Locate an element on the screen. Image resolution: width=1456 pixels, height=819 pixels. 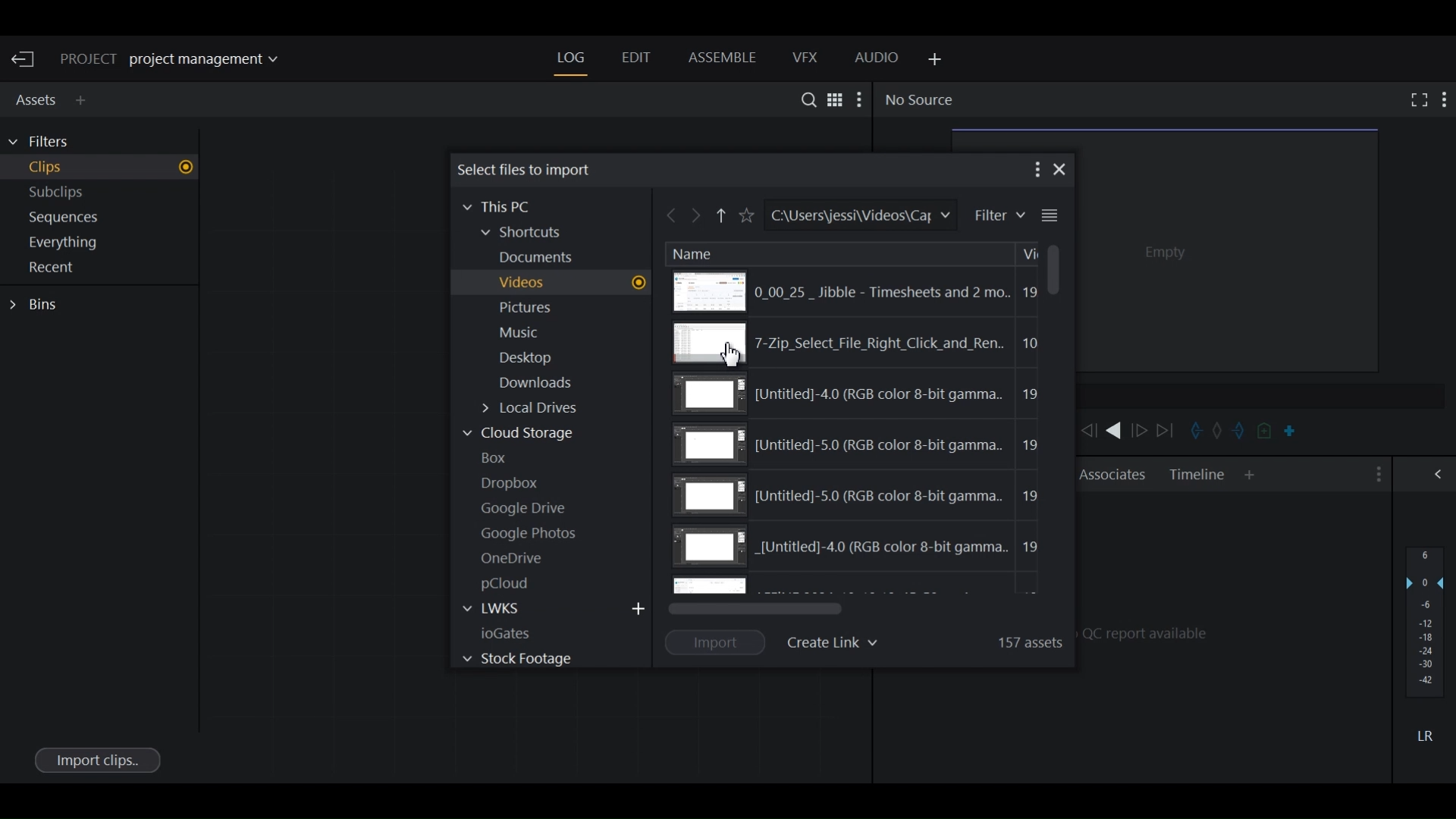
Associates is located at coordinates (1112, 474).